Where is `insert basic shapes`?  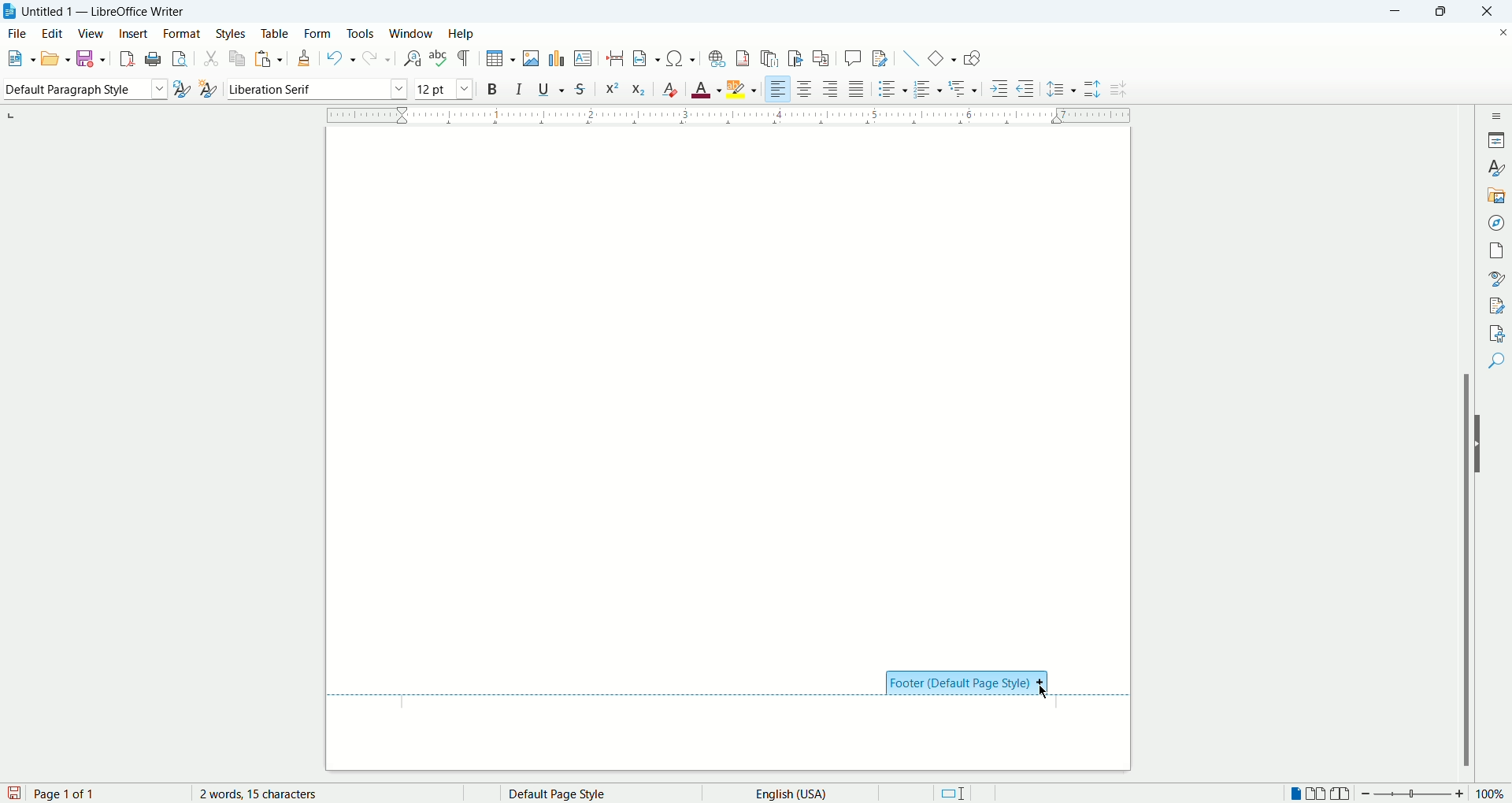 insert basic shapes is located at coordinates (943, 57).